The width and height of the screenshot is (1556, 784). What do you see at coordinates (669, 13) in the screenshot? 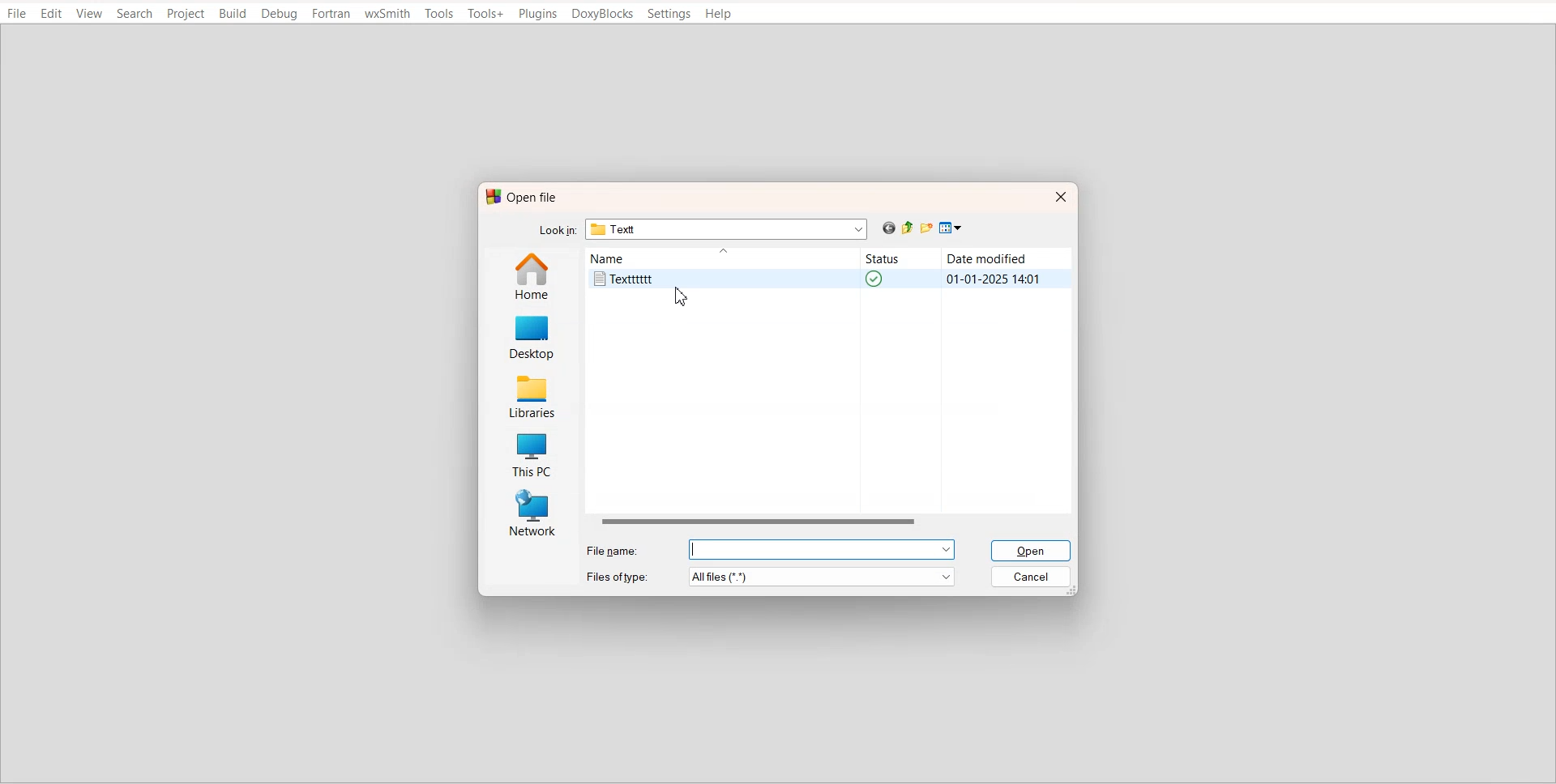
I see `Settings` at bounding box center [669, 13].